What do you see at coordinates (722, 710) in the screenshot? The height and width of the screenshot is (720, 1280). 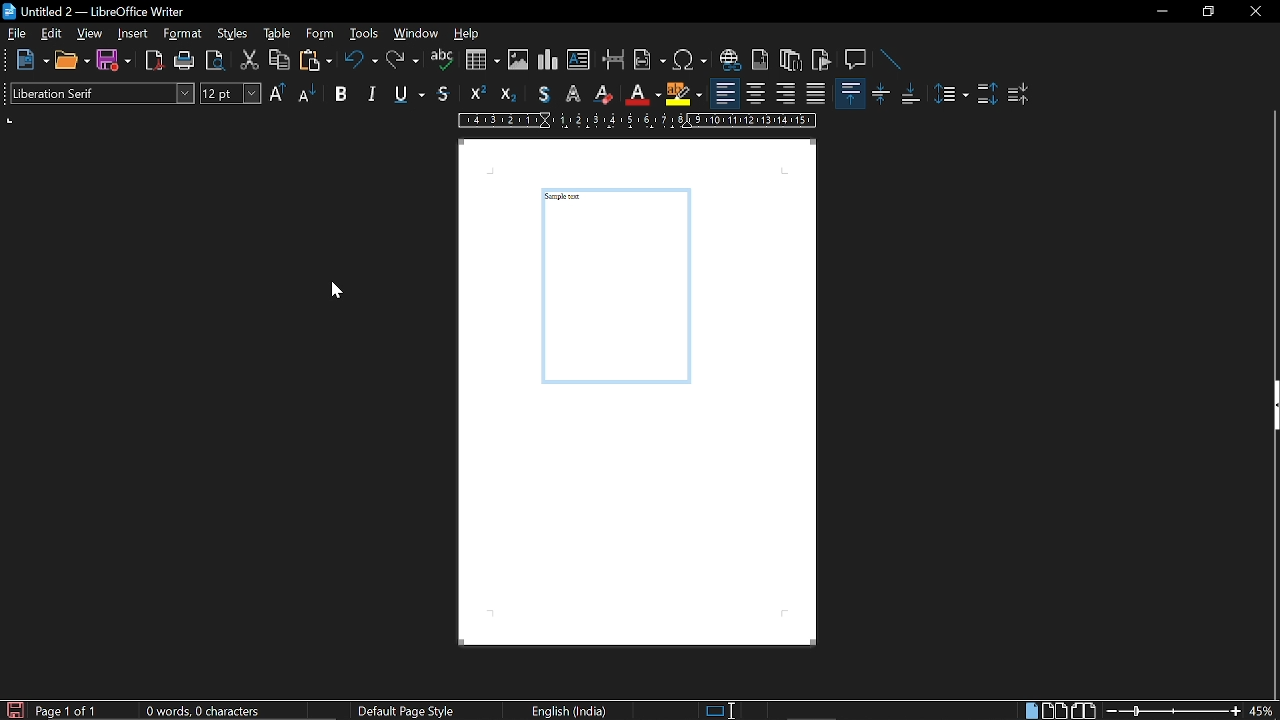 I see `standard selection` at bounding box center [722, 710].